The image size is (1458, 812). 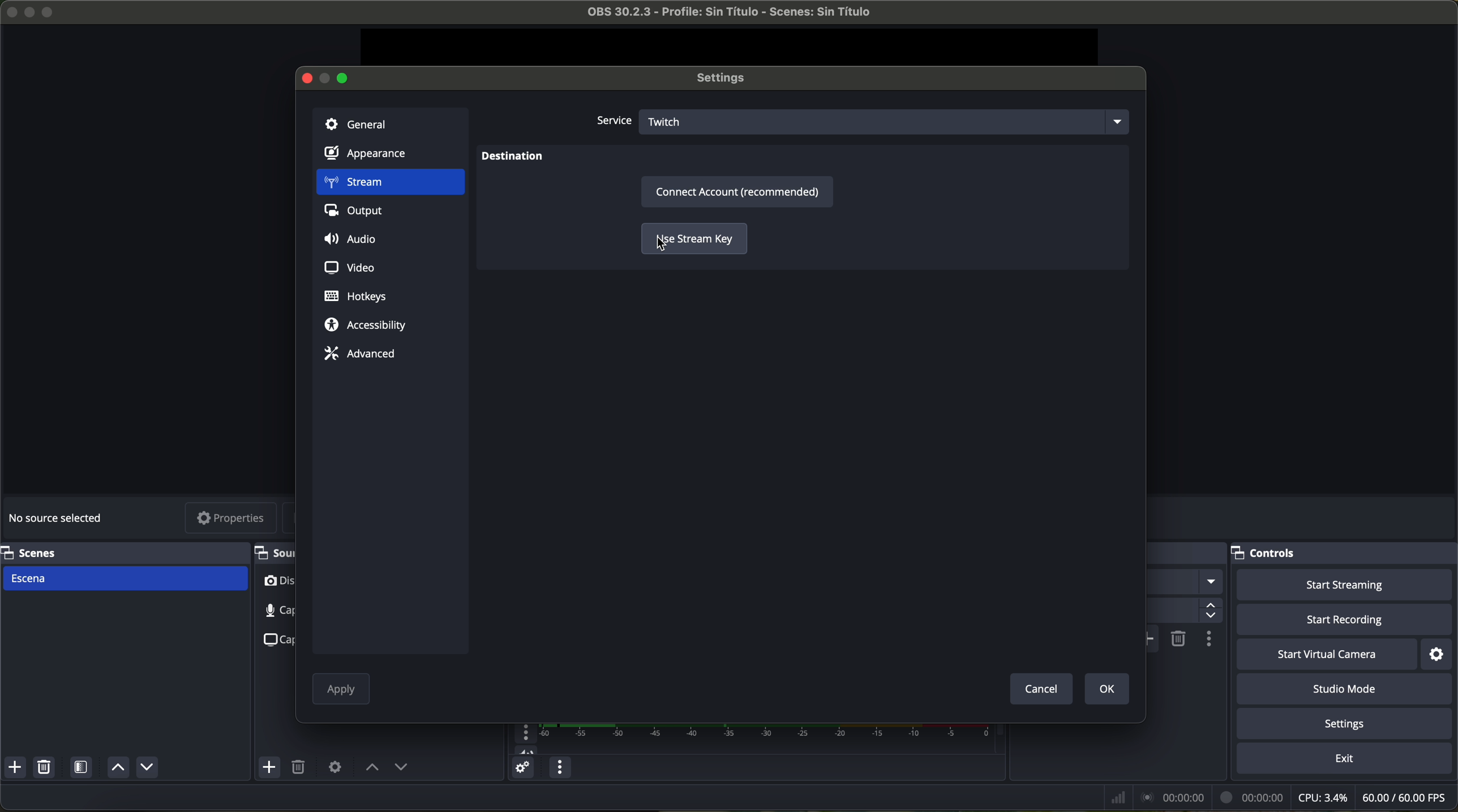 I want to click on general, so click(x=390, y=123).